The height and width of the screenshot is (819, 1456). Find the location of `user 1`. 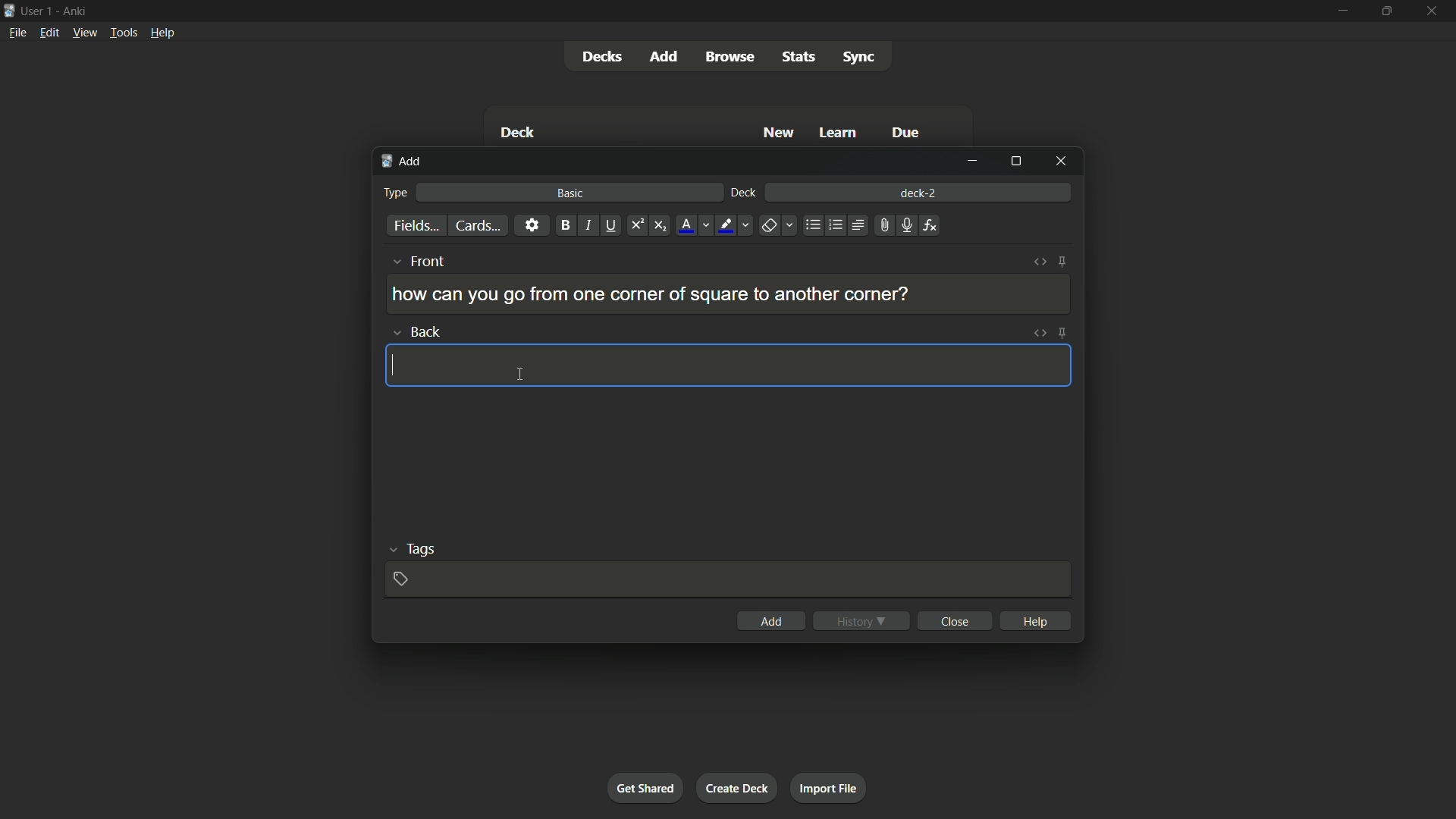

user 1 is located at coordinates (39, 13).